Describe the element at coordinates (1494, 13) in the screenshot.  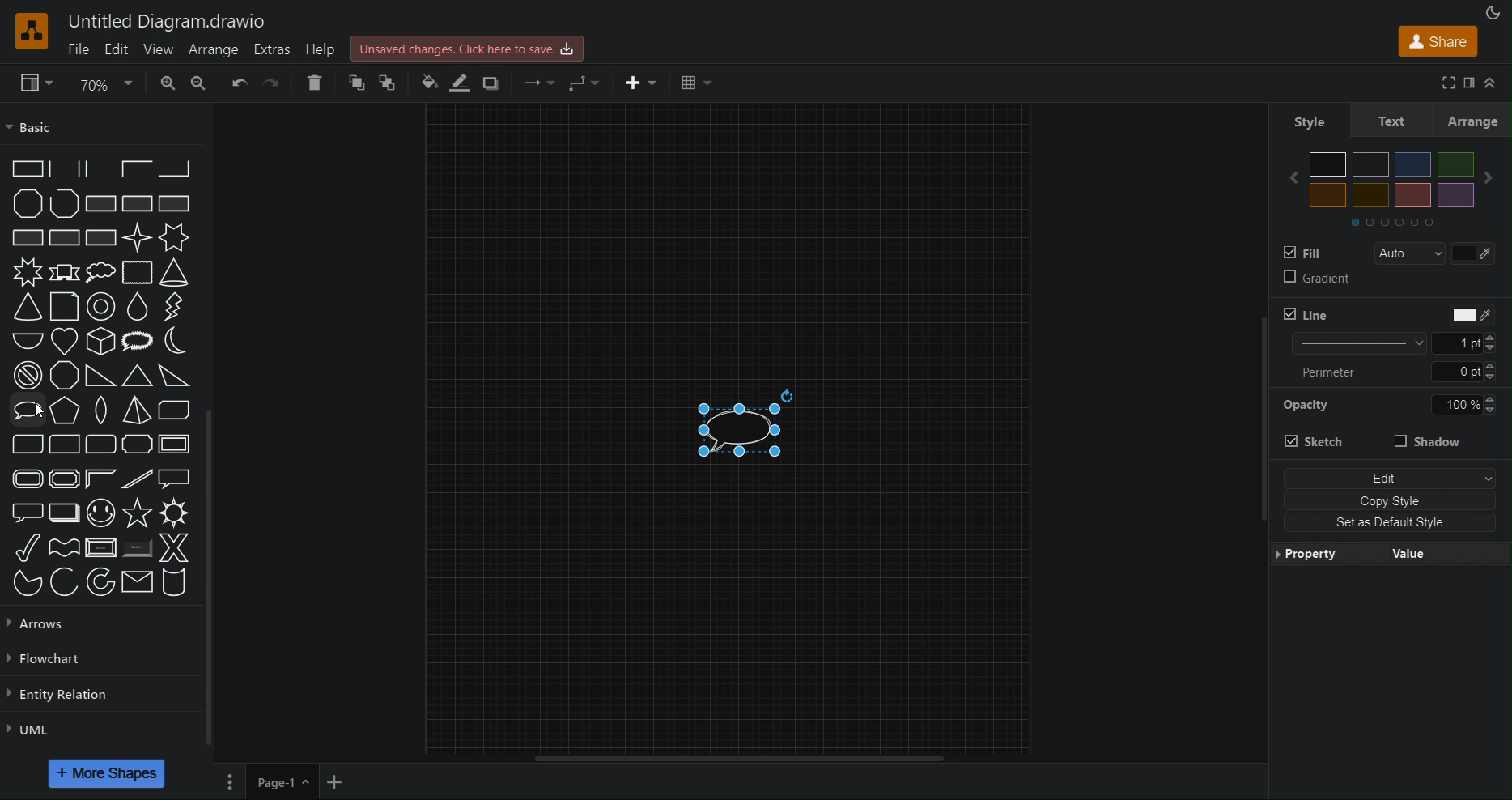
I see `Appearance` at that location.